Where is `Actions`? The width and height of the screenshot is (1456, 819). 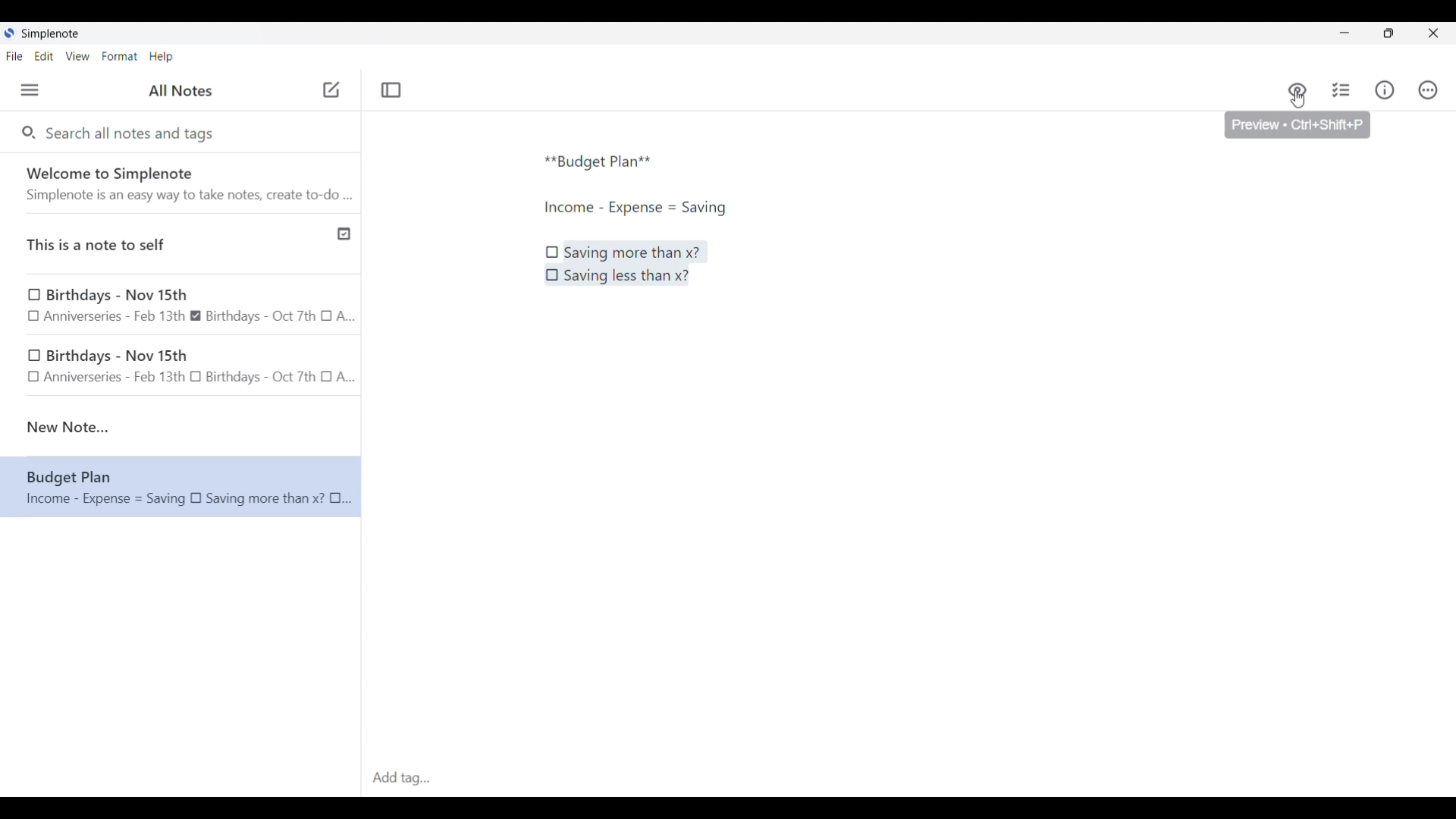 Actions is located at coordinates (1427, 90).